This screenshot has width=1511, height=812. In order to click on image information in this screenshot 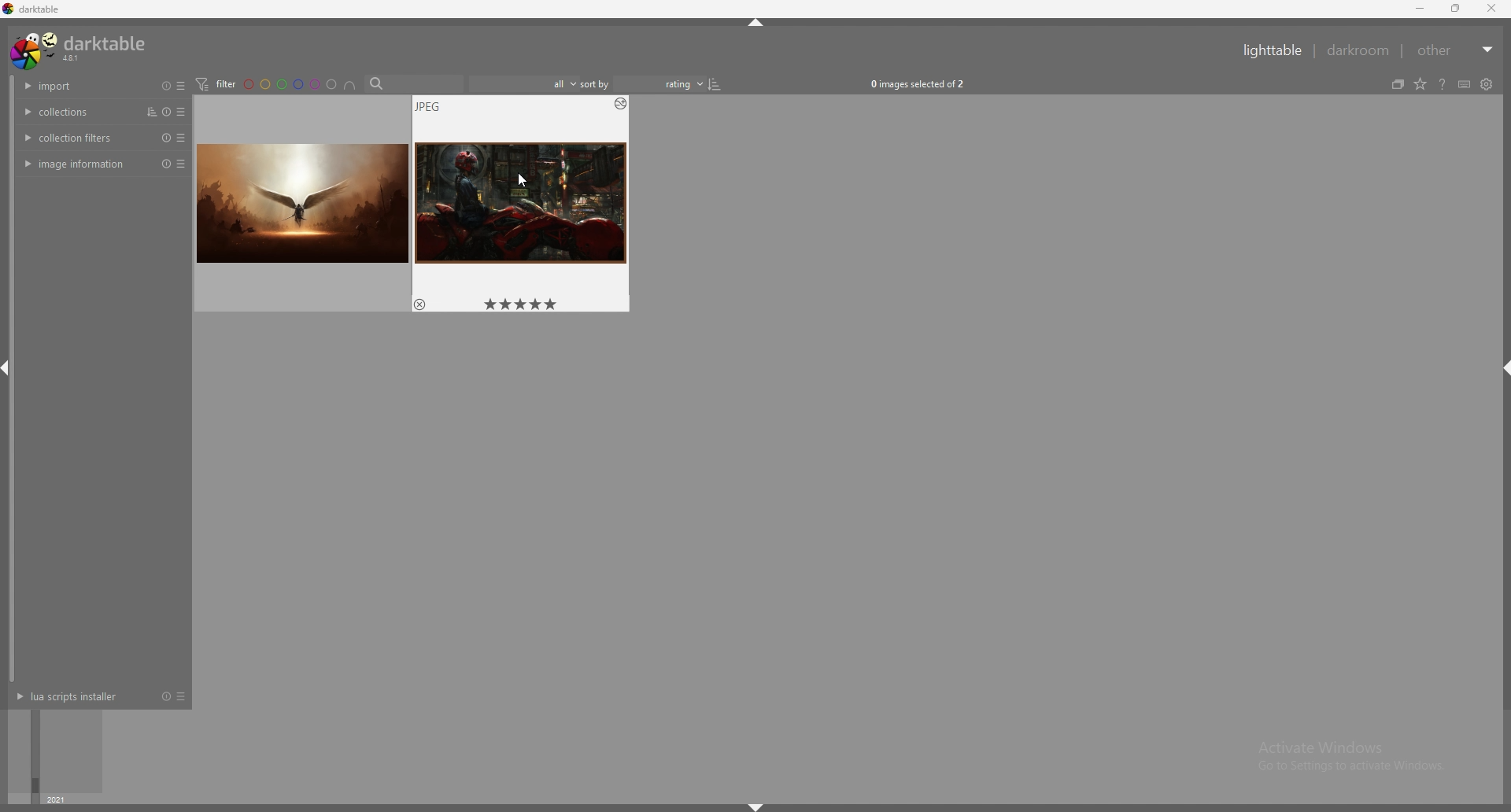, I will do `click(81, 164)`.